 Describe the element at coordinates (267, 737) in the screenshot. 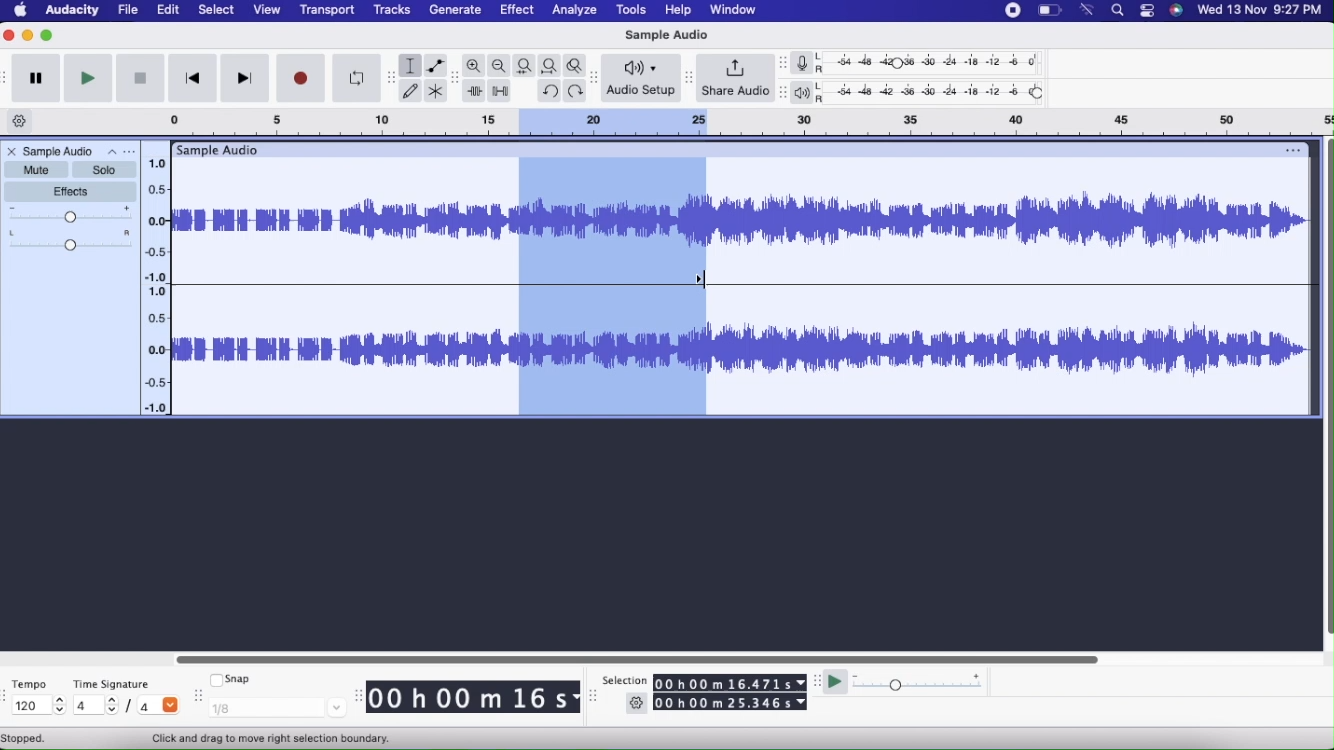

I see `click and drag to move right selection boundary` at that location.